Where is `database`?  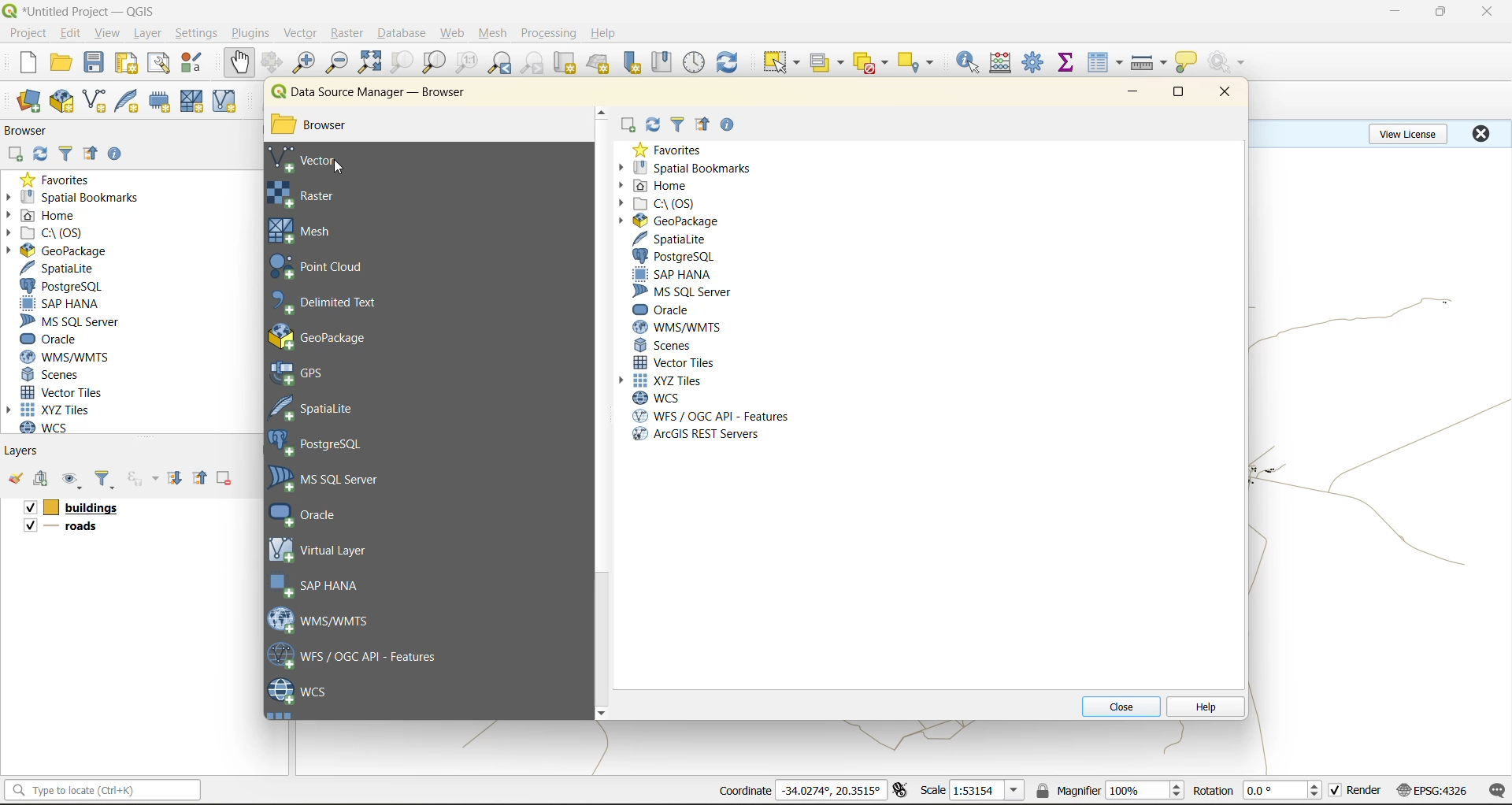 database is located at coordinates (406, 35).